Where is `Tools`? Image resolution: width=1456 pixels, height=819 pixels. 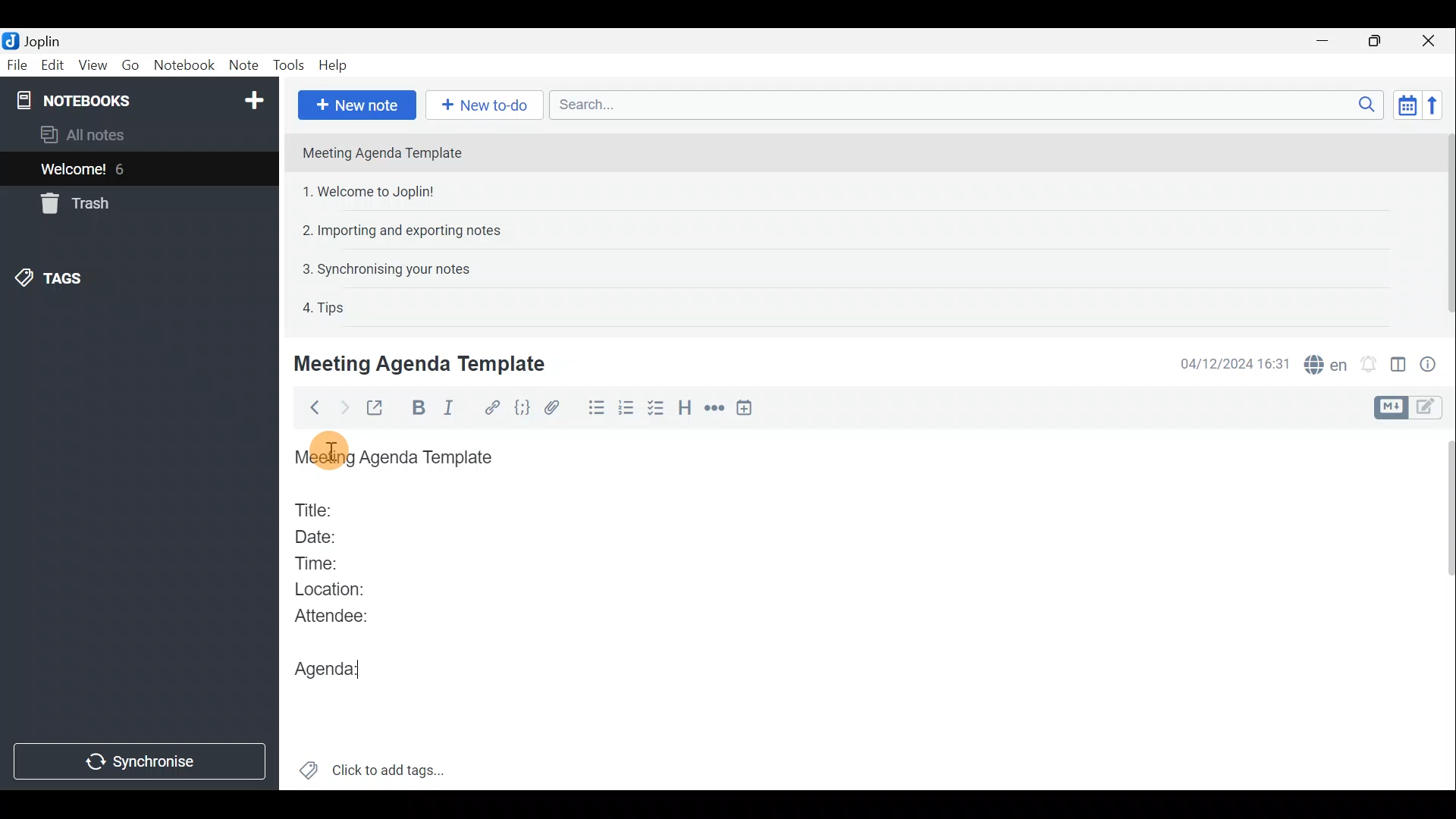 Tools is located at coordinates (286, 63).